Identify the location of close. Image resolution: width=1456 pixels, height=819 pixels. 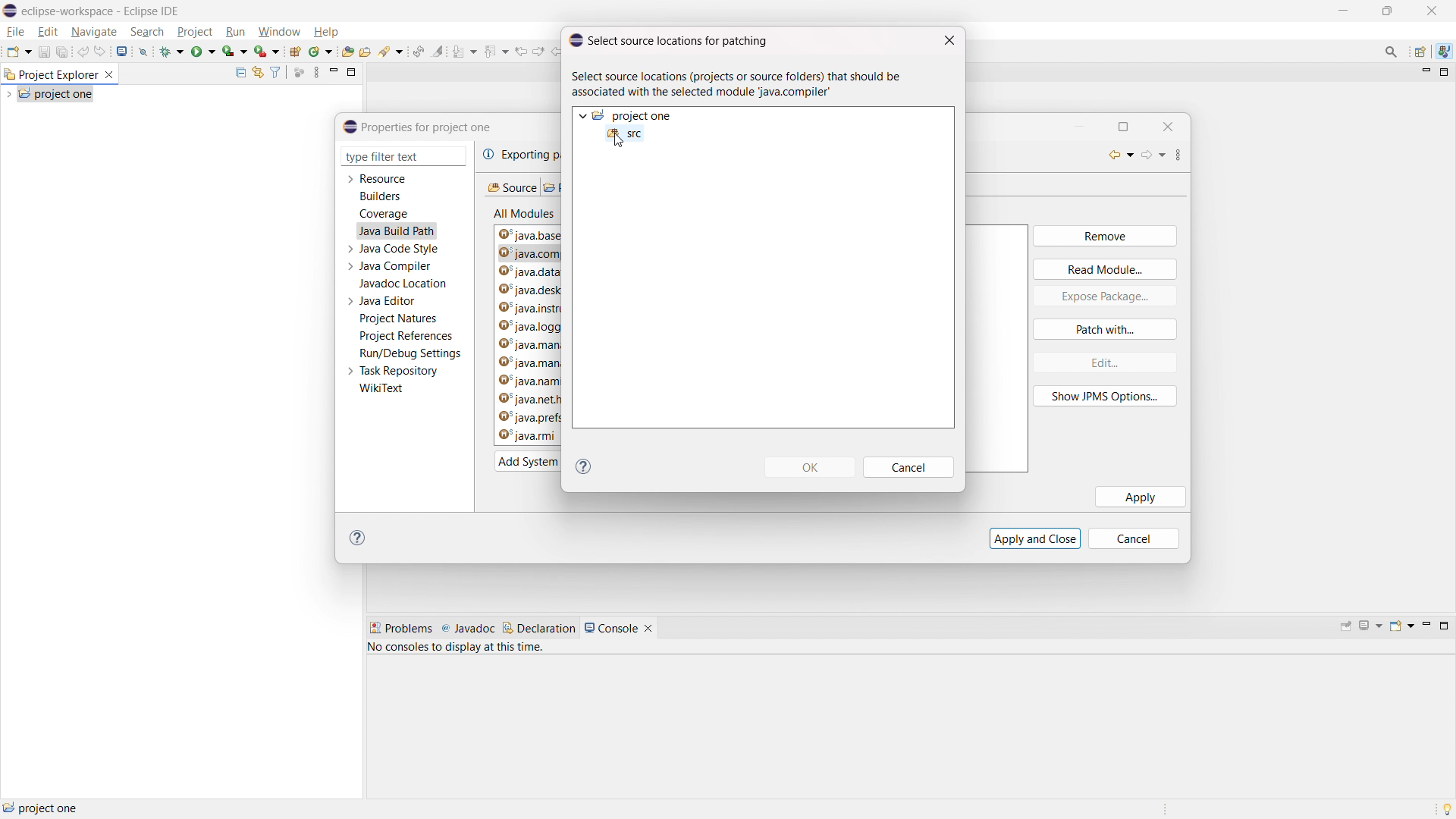
(949, 41).